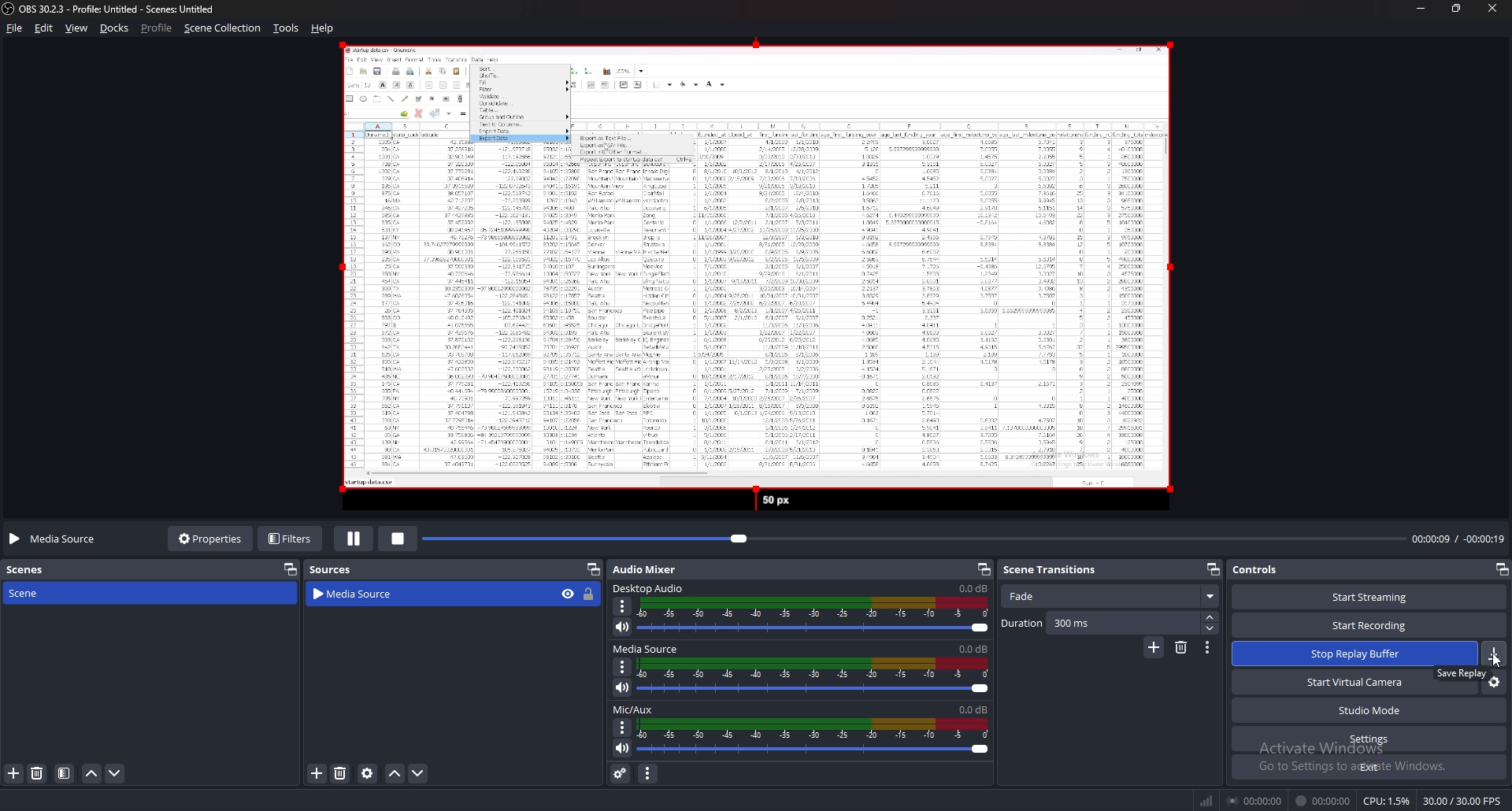 This screenshot has height=811, width=1512. What do you see at coordinates (623, 687) in the screenshot?
I see `mute` at bounding box center [623, 687].